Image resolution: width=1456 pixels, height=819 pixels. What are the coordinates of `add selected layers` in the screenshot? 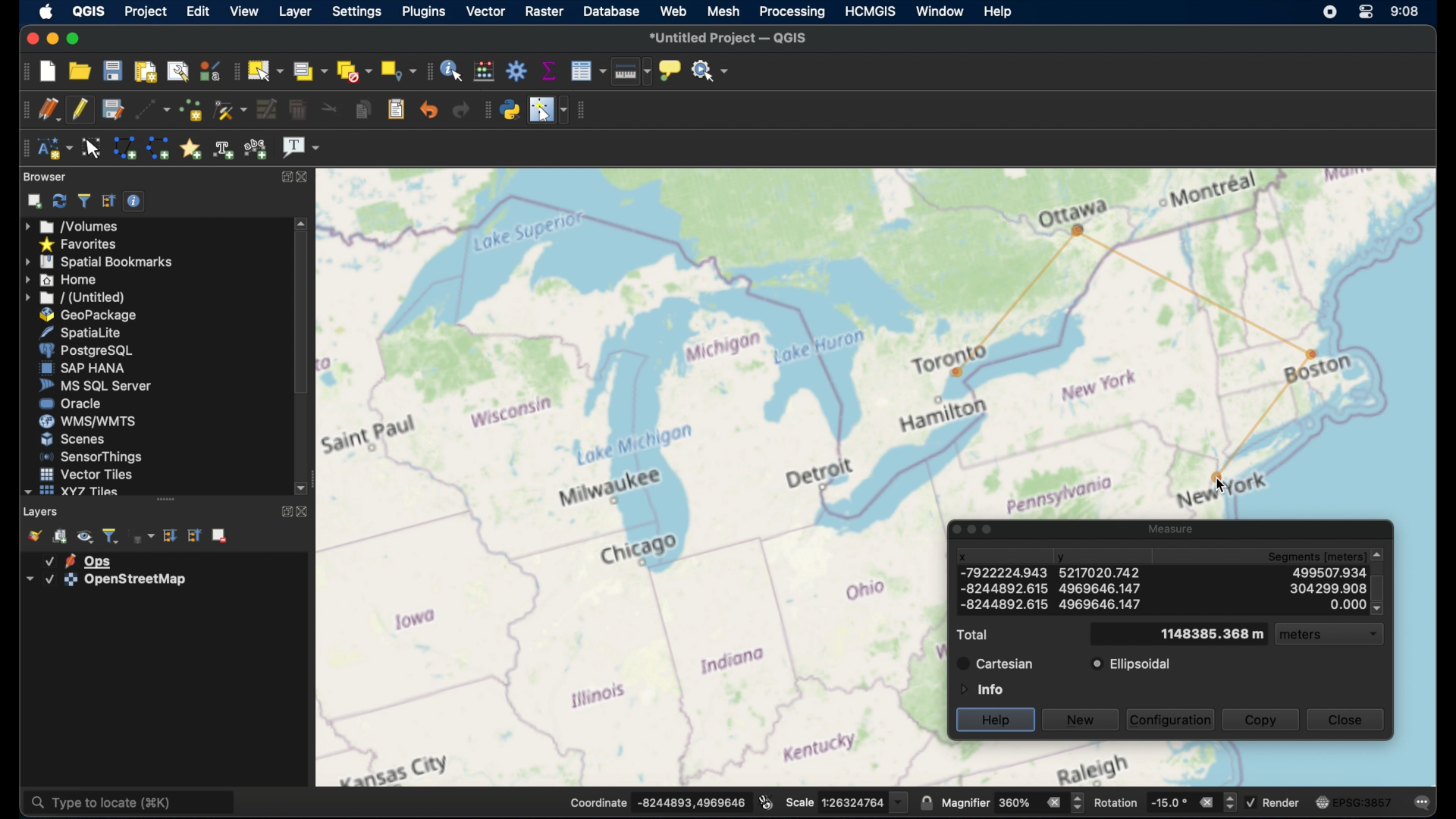 It's located at (31, 201).